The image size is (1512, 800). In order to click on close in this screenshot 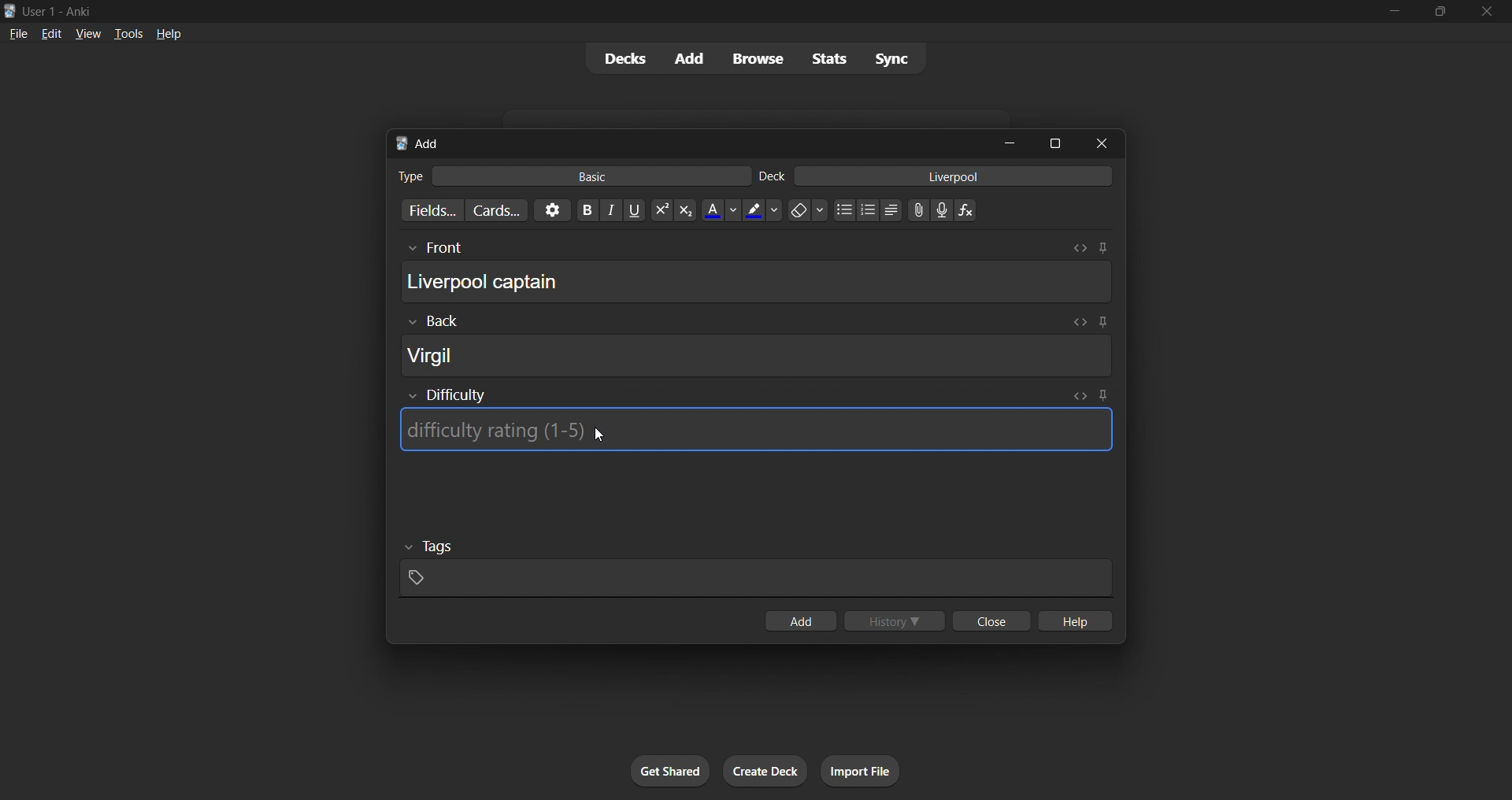, I will do `click(991, 620)`.